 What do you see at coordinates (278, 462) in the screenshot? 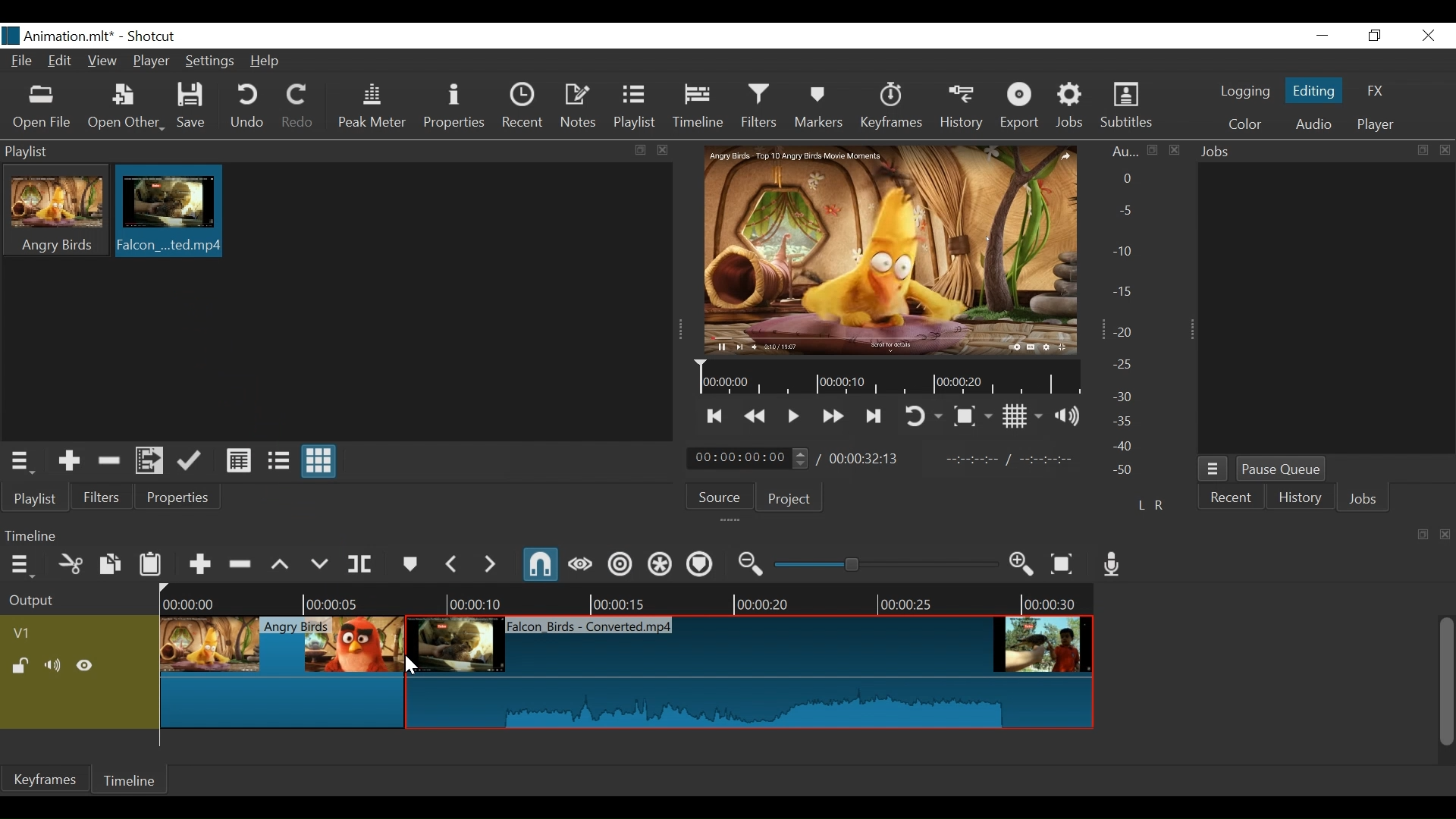
I see `View as File` at bounding box center [278, 462].